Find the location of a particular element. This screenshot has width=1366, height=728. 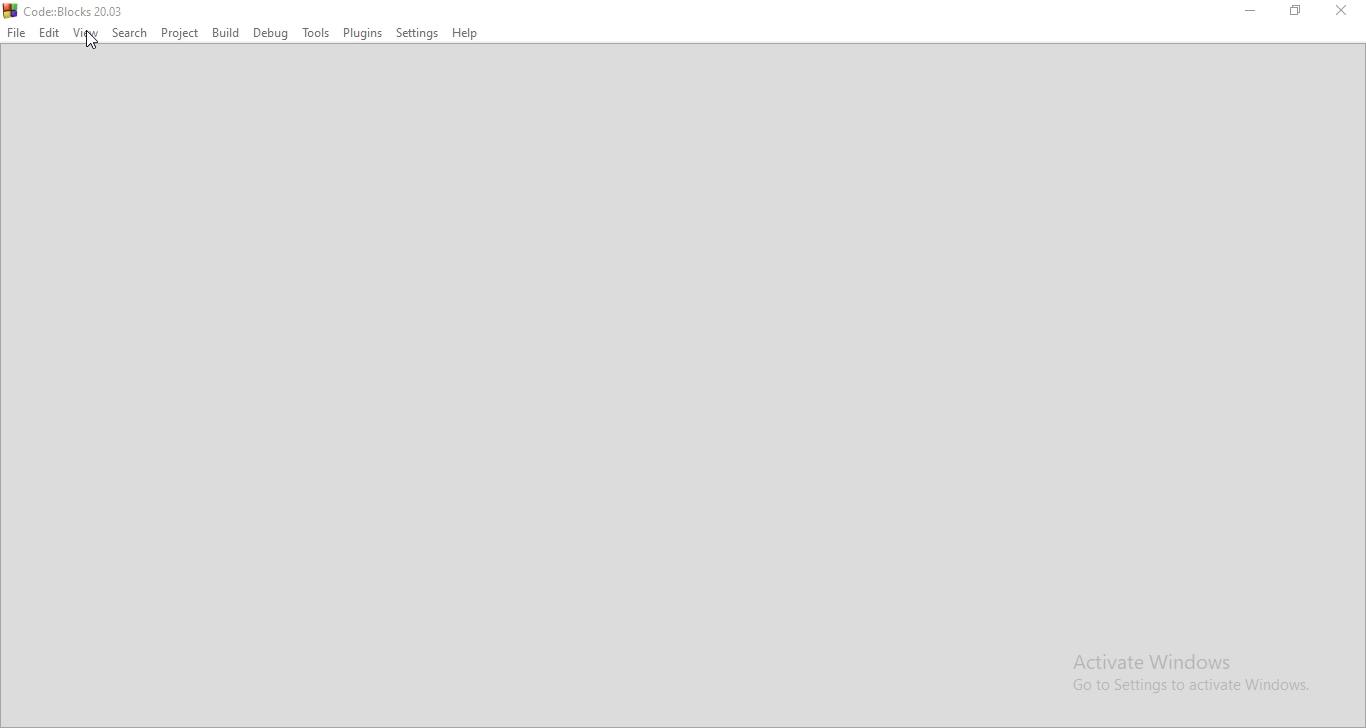

Settings  is located at coordinates (416, 32).